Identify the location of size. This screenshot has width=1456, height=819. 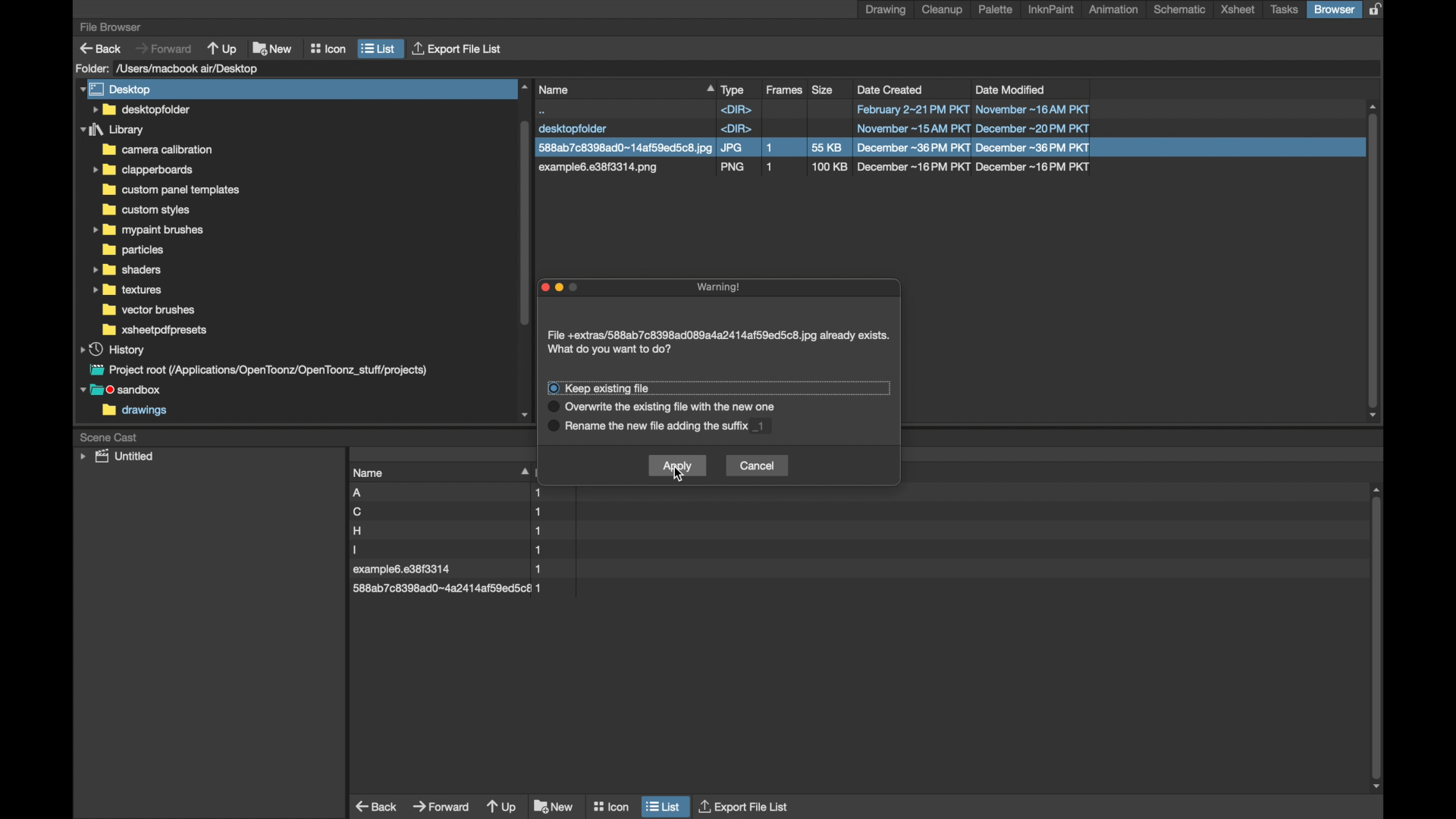
(824, 89).